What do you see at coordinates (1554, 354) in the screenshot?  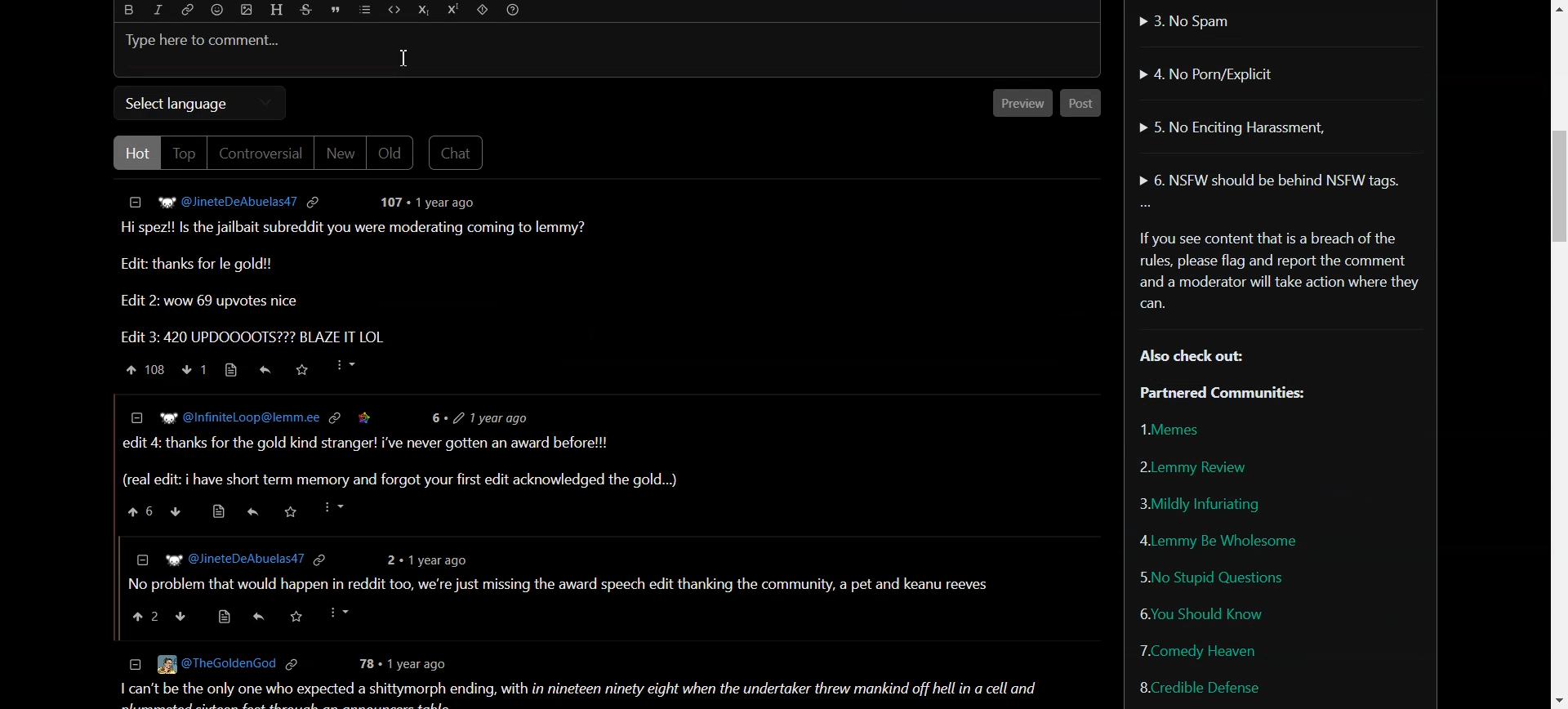 I see `Vertical Scroll bar` at bounding box center [1554, 354].